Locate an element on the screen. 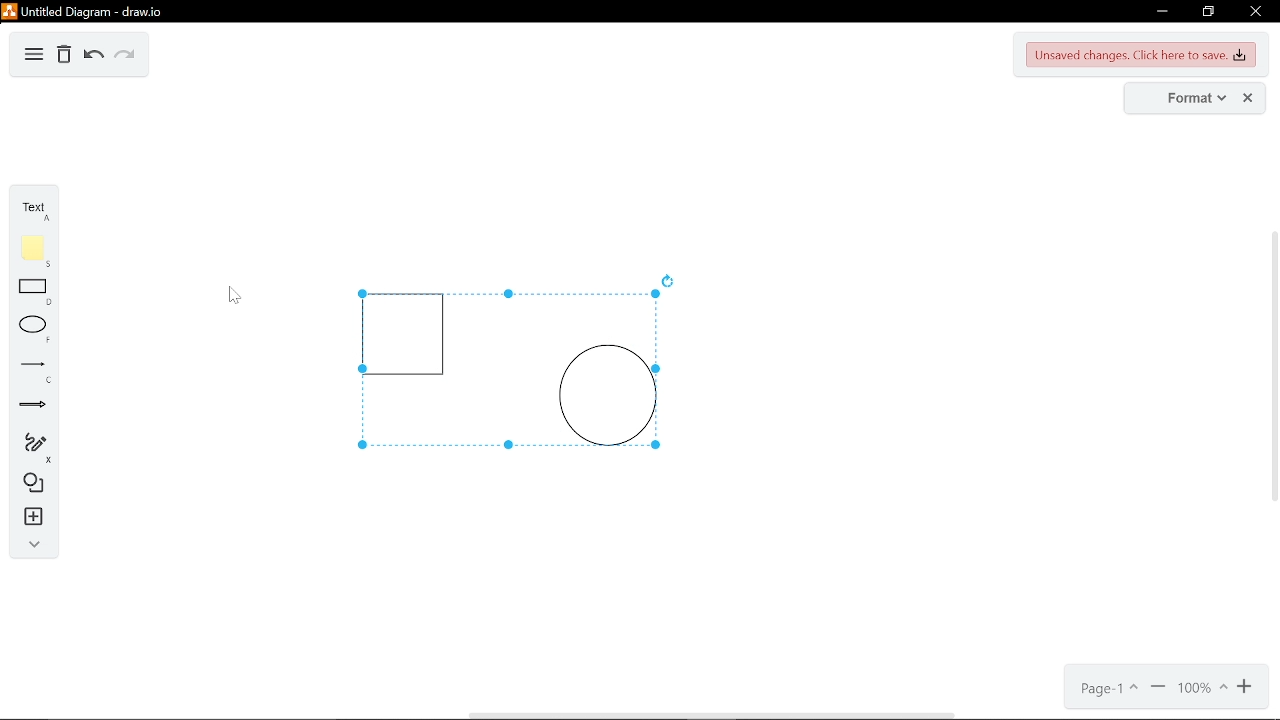 This screenshot has height=720, width=1280. vertical scrollbar is located at coordinates (1272, 367).